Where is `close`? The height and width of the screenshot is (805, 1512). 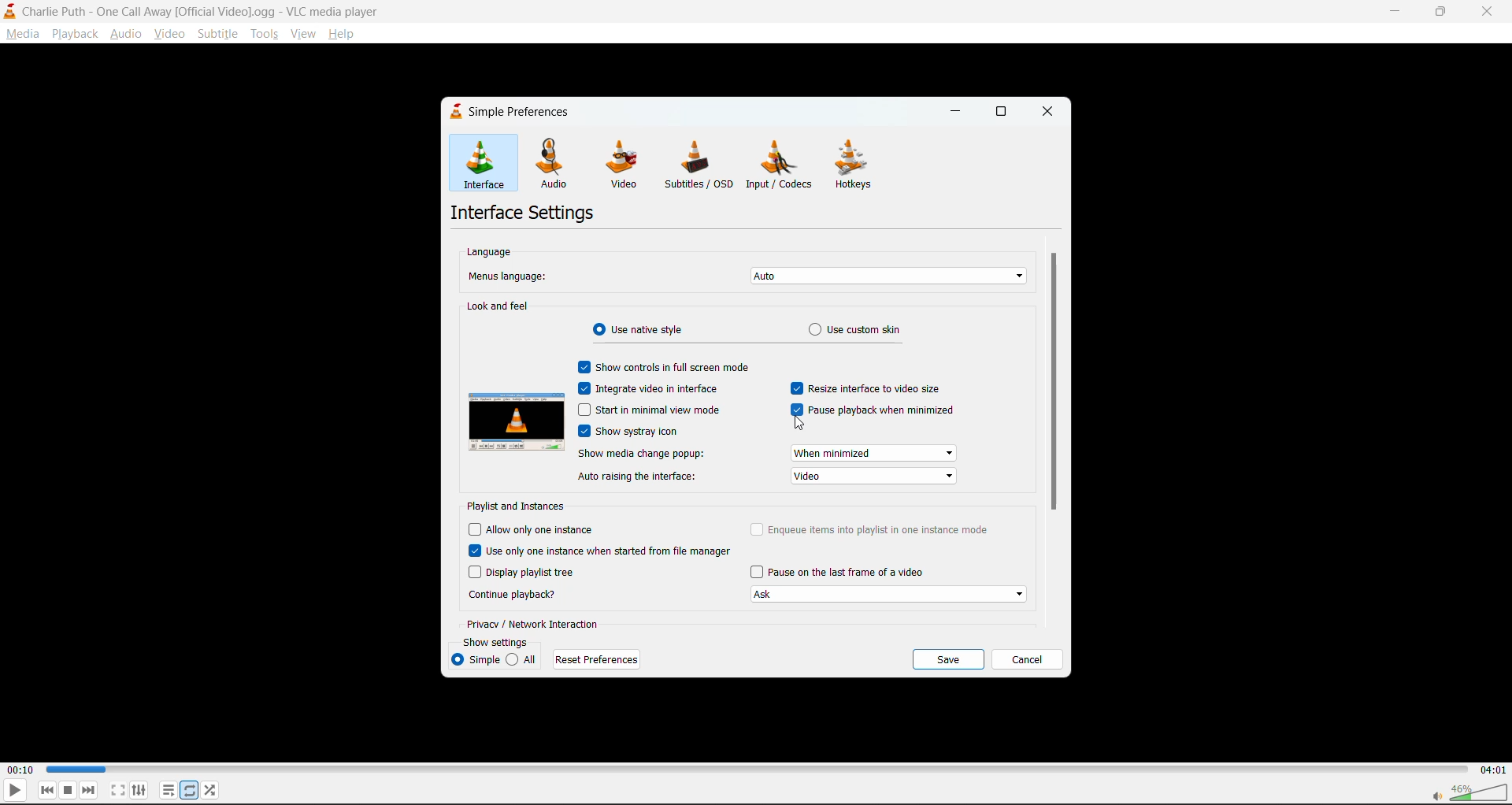 close is located at coordinates (1044, 113).